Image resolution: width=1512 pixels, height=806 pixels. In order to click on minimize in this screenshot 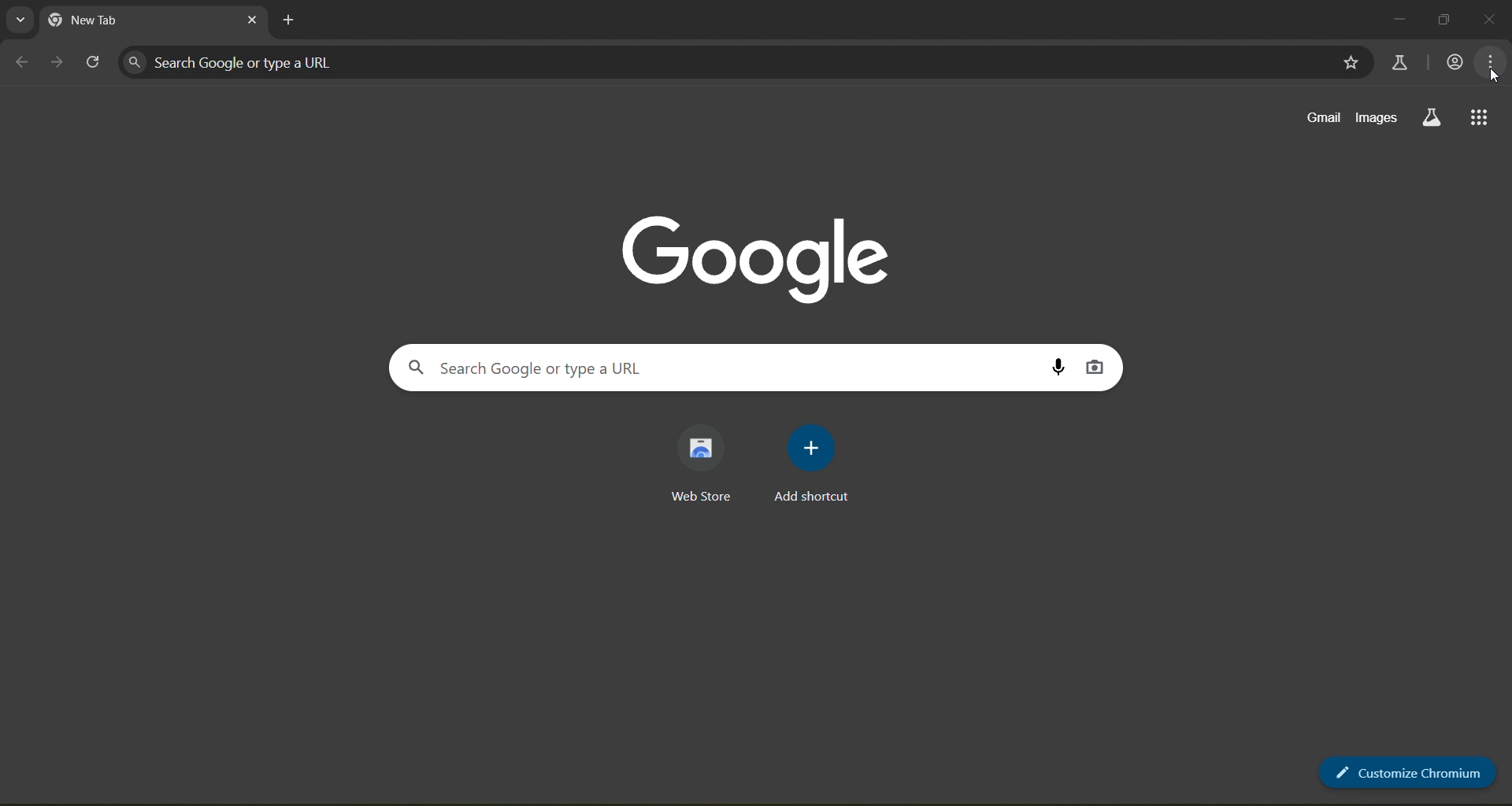, I will do `click(1398, 17)`.